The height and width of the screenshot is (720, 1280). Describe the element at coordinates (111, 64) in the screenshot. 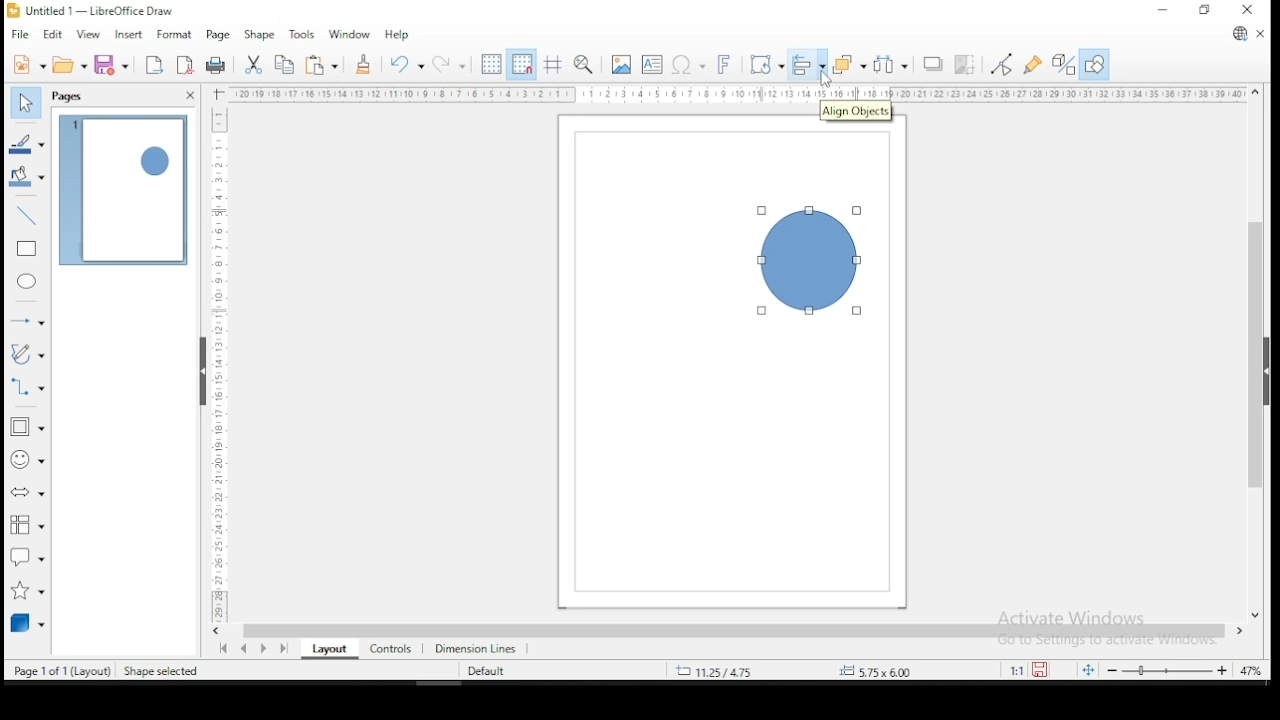

I see `save` at that location.